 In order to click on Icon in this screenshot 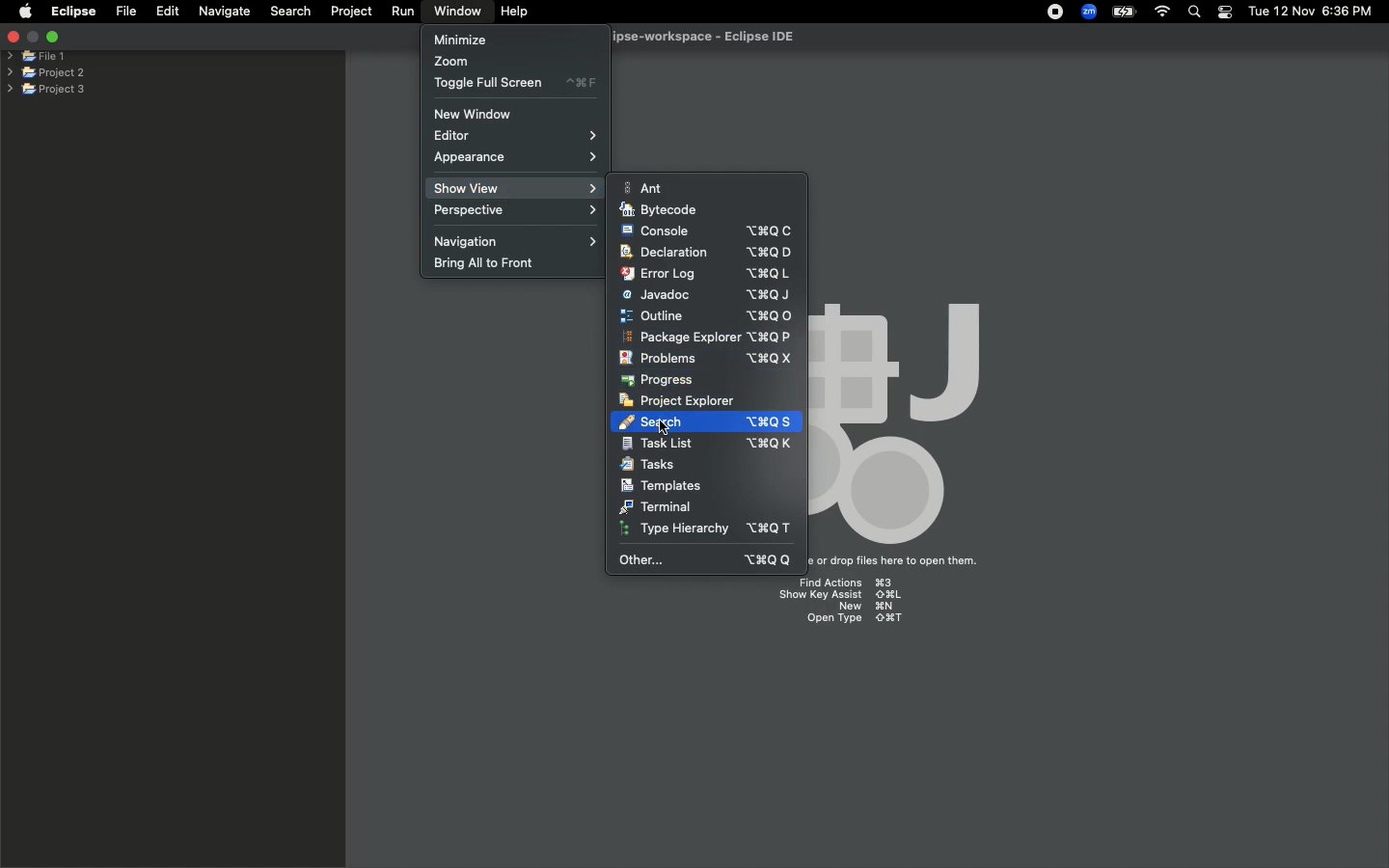, I will do `click(910, 418)`.